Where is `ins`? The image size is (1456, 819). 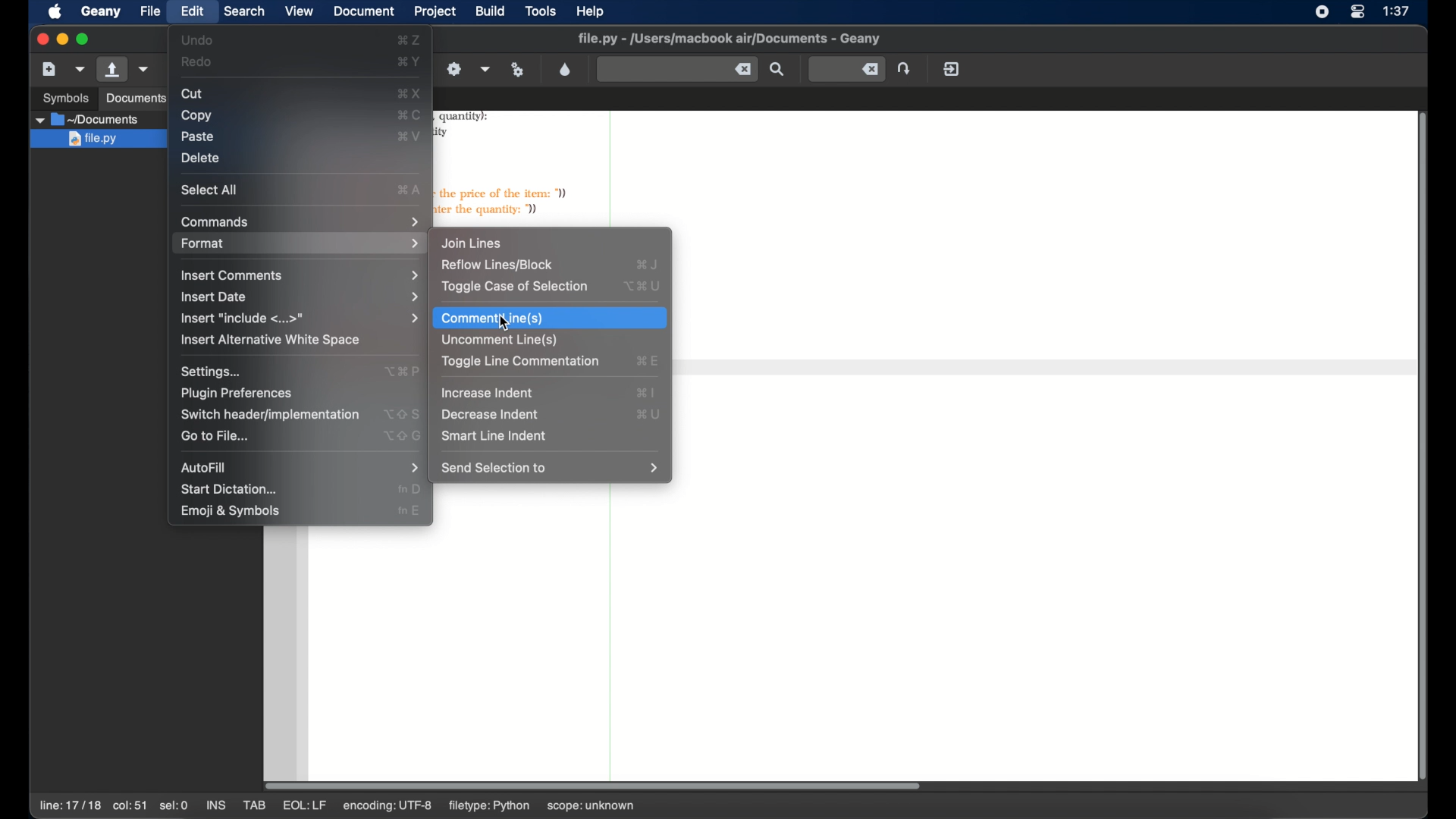
ins is located at coordinates (215, 805).